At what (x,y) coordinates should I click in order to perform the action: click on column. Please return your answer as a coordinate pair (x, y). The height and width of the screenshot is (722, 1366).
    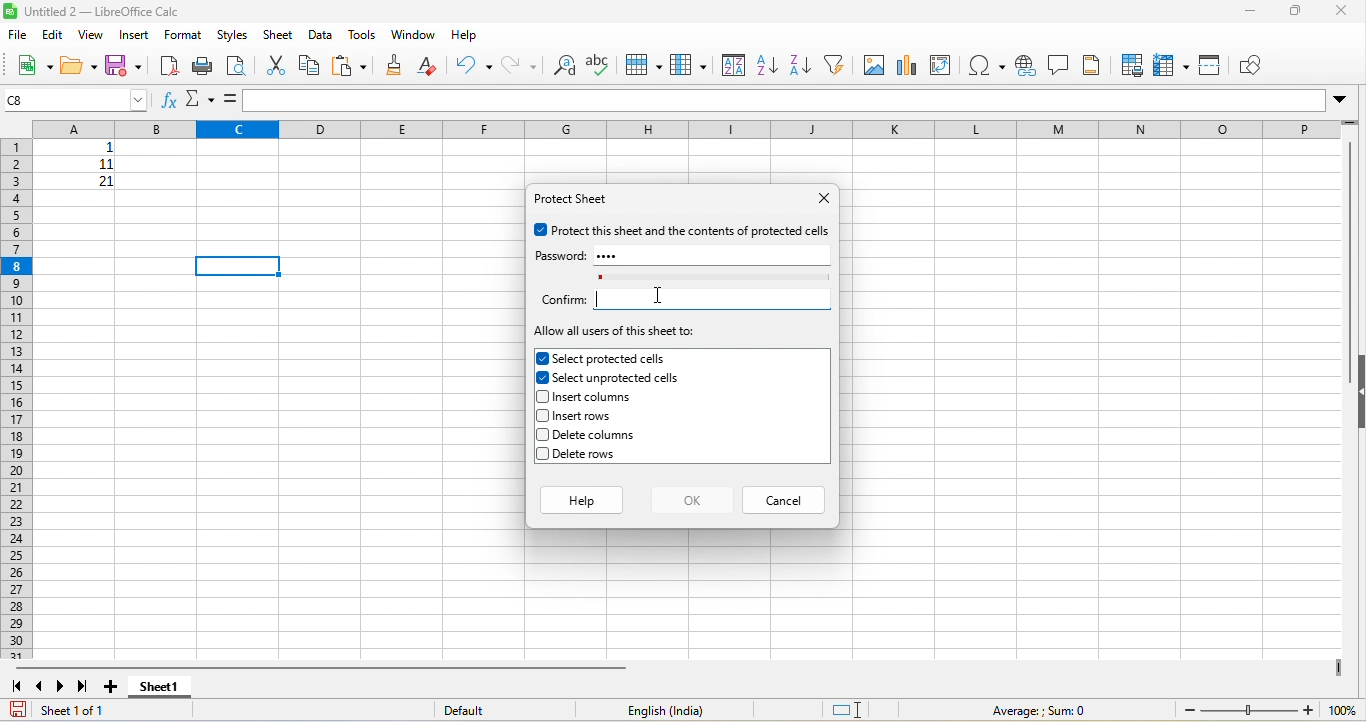
    Looking at the image, I should click on (688, 64).